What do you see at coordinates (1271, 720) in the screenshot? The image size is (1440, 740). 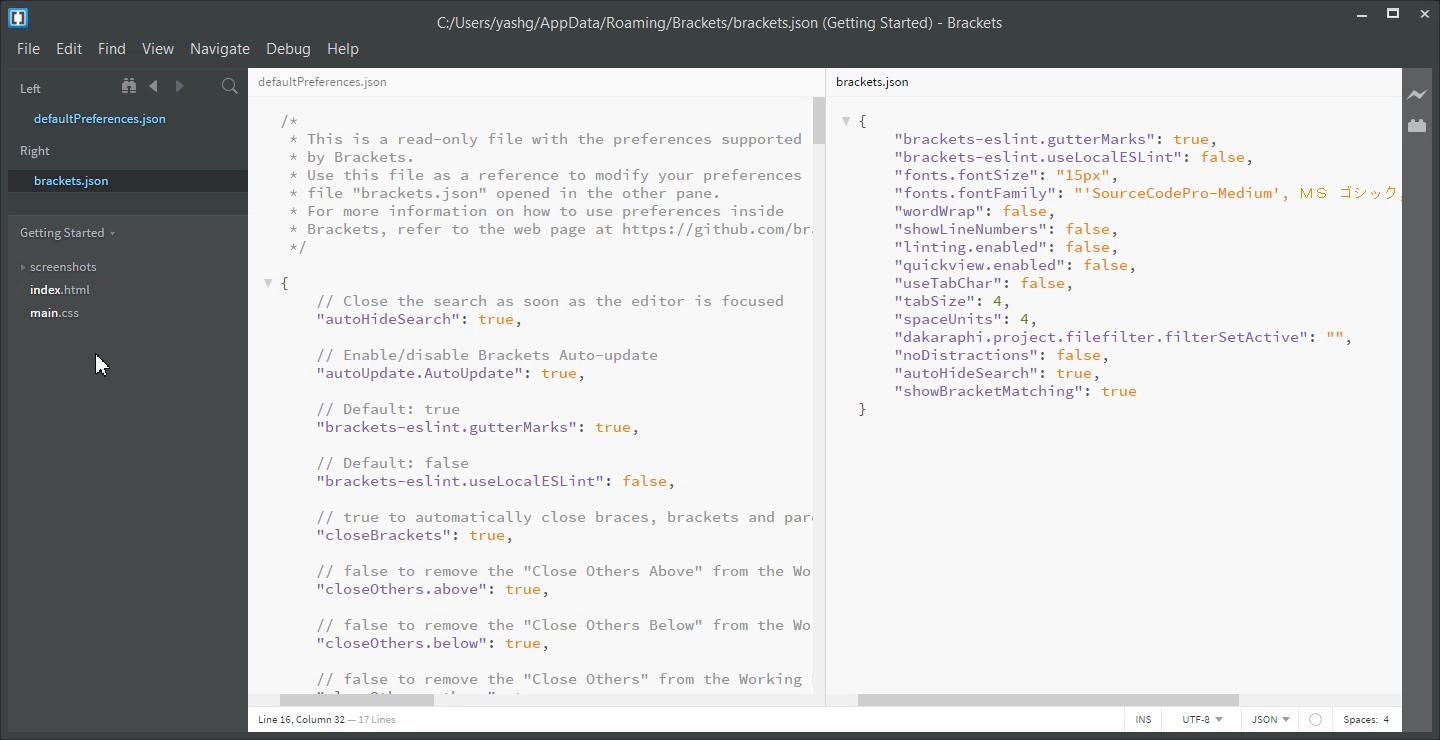 I see `JSON` at bounding box center [1271, 720].